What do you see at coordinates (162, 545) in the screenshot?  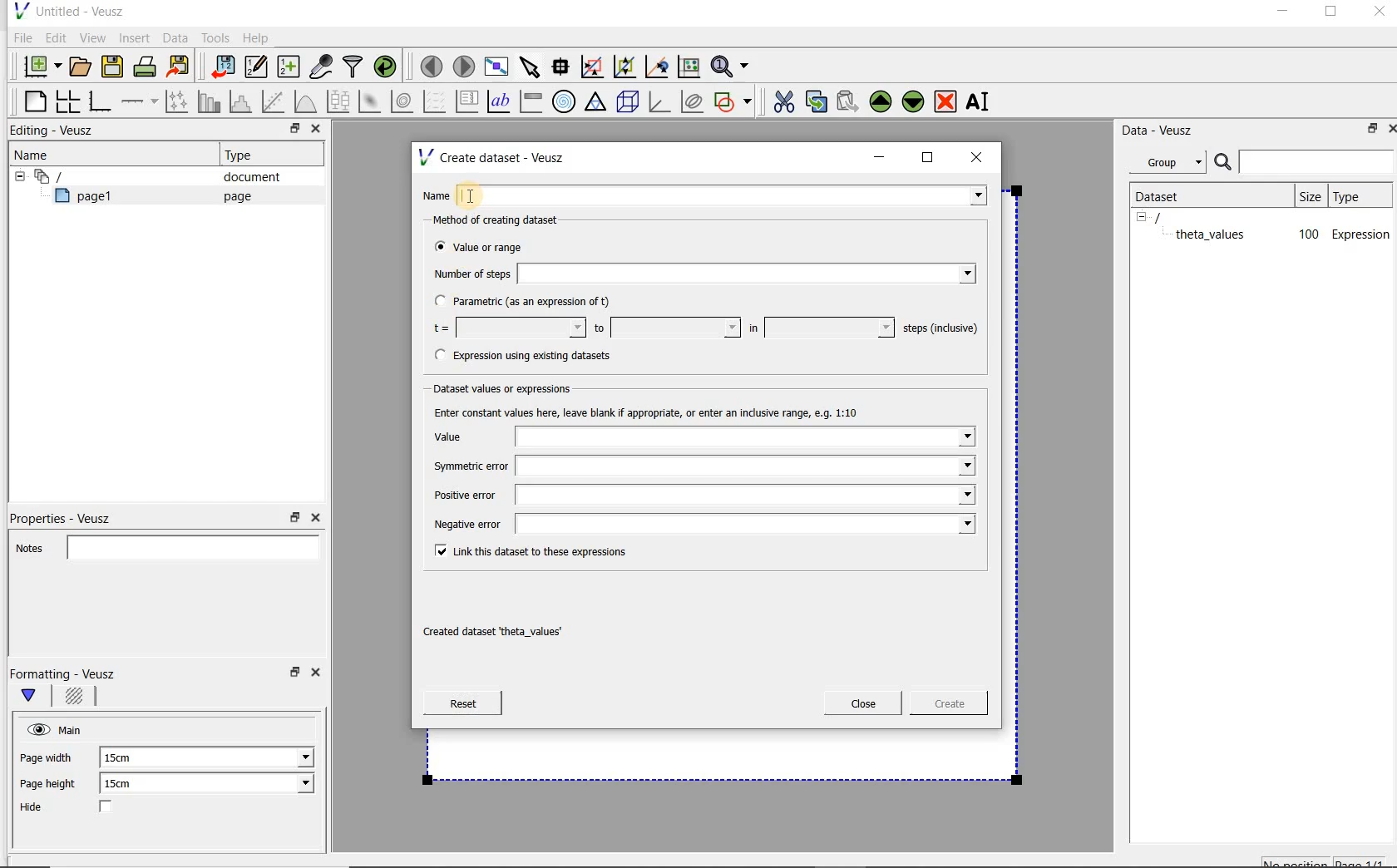 I see `Notes` at bounding box center [162, 545].